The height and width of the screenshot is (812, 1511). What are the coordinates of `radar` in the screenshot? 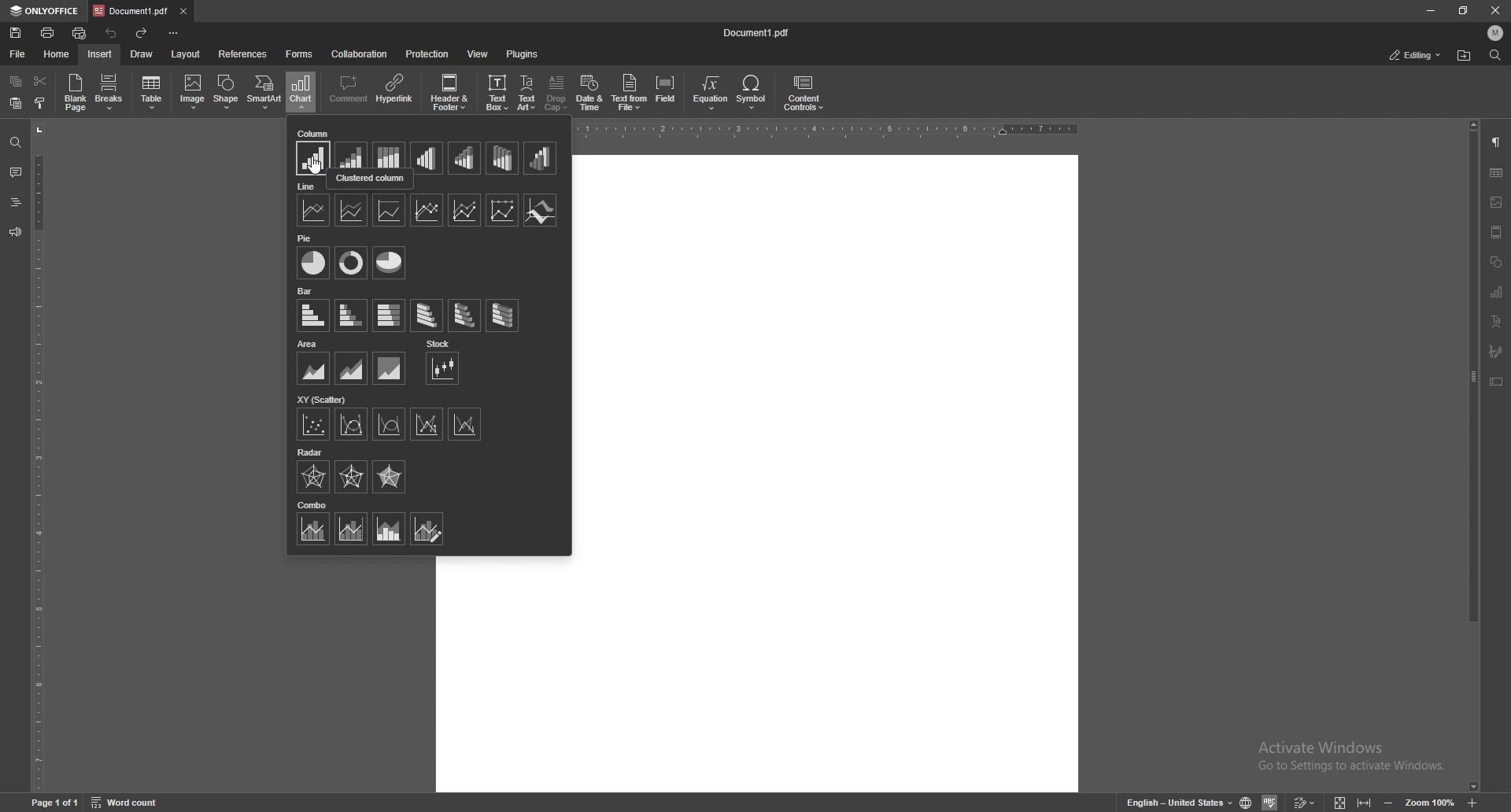 It's located at (313, 477).